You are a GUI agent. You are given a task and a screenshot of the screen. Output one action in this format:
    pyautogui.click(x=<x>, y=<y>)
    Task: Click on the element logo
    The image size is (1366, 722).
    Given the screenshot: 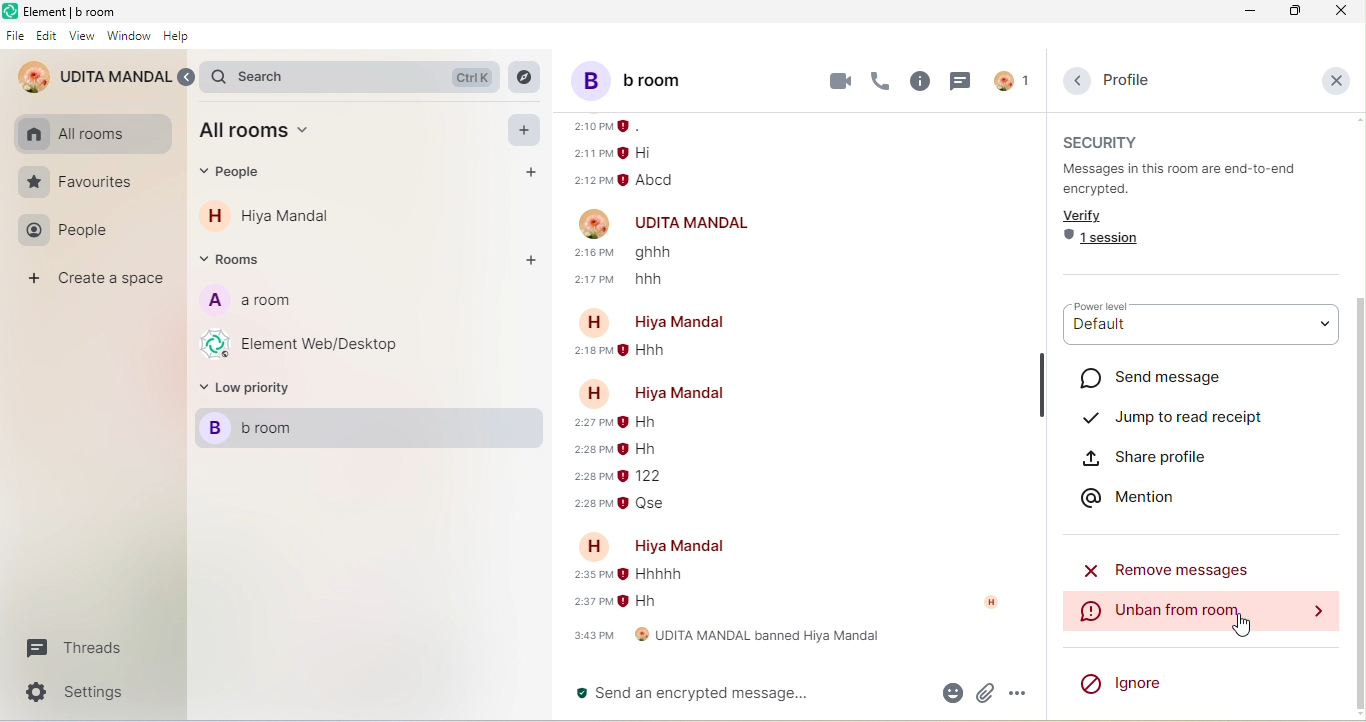 What is the action you would take?
    pyautogui.click(x=10, y=12)
    